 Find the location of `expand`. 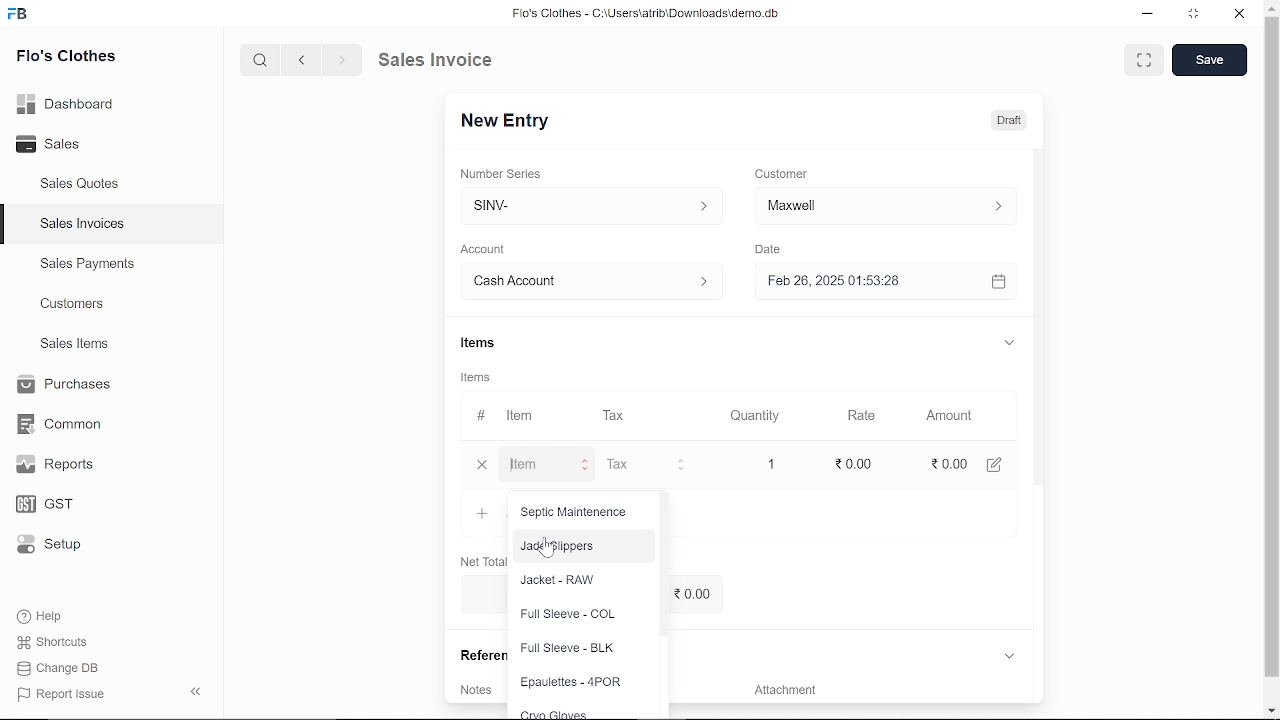

expand is located at coordinates (1018, 654).